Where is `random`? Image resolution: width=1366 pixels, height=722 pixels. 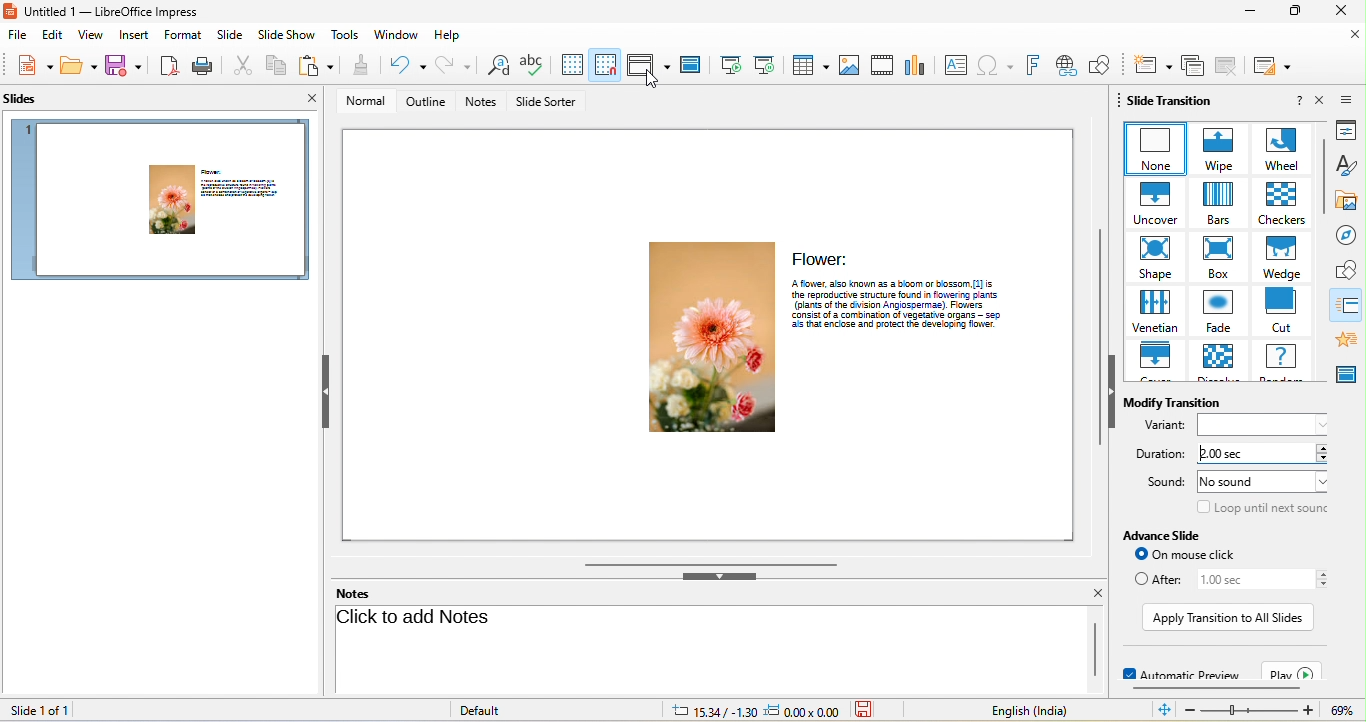 random is located at coordinates (1284, 361).